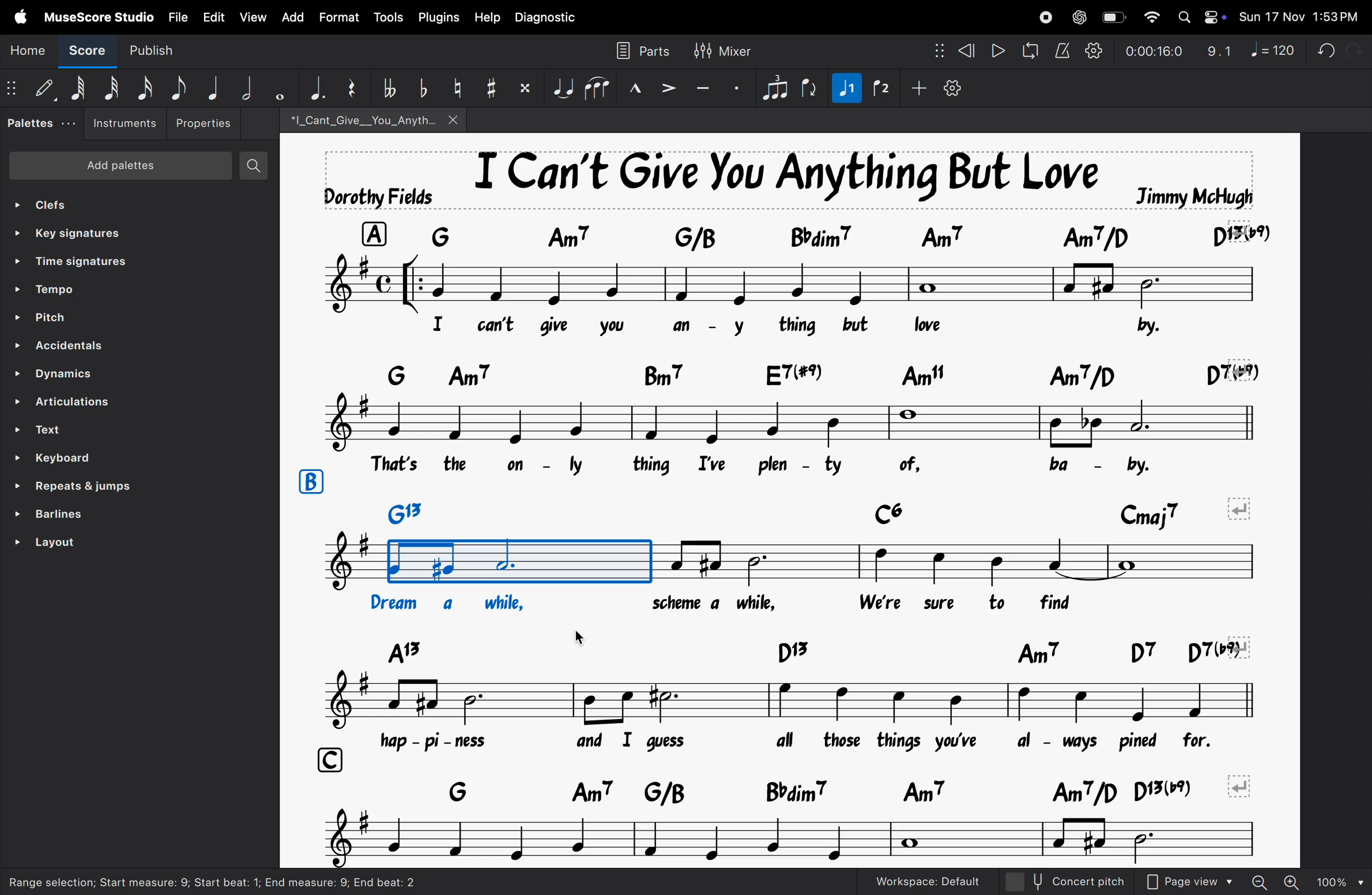 This screenshot has height=895, width=1372. I want to click on flip rection, so click(809, 89).